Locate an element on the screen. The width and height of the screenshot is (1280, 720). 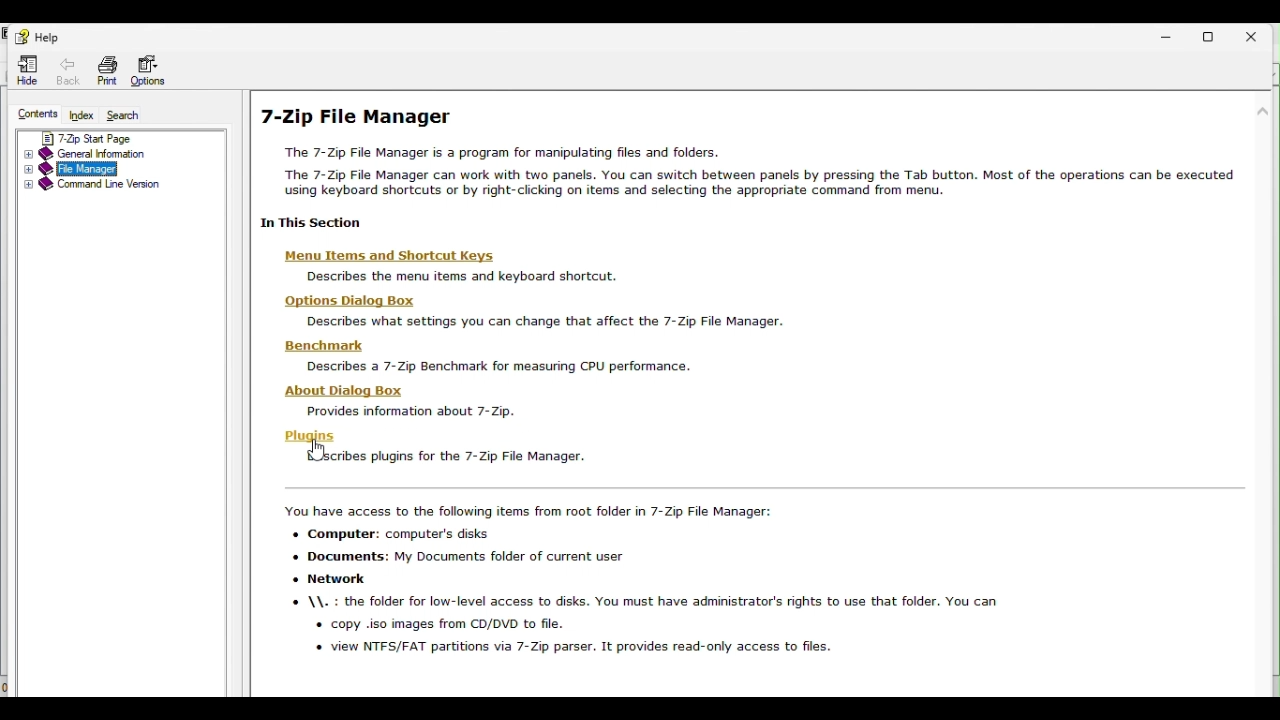
text is located at coordinates (496, 367).